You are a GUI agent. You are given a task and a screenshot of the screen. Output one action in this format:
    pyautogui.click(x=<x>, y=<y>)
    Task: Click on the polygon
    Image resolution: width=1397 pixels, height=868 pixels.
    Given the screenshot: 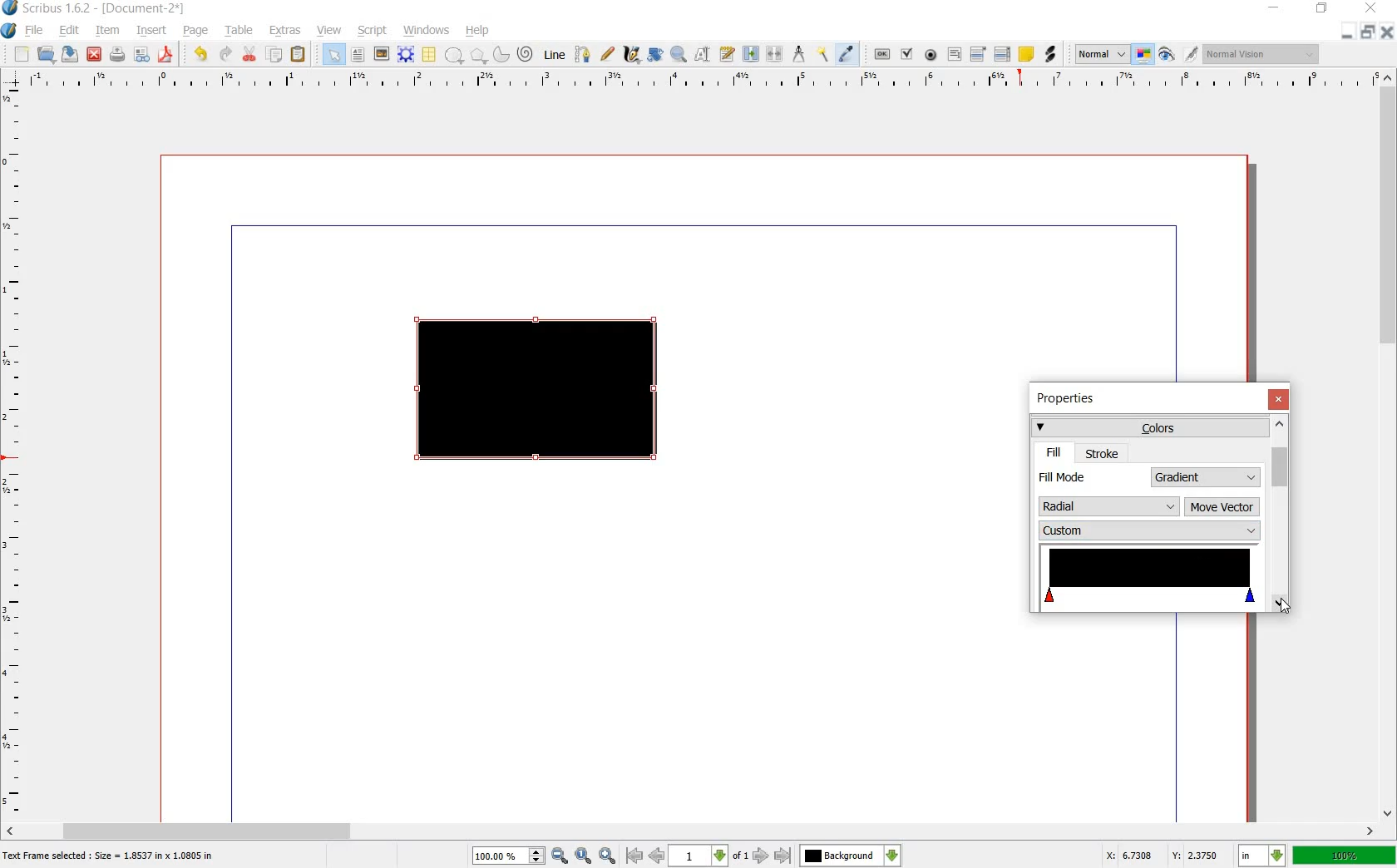 What is the action you would take?
    pyautogui.click(x=476, y=55)
    